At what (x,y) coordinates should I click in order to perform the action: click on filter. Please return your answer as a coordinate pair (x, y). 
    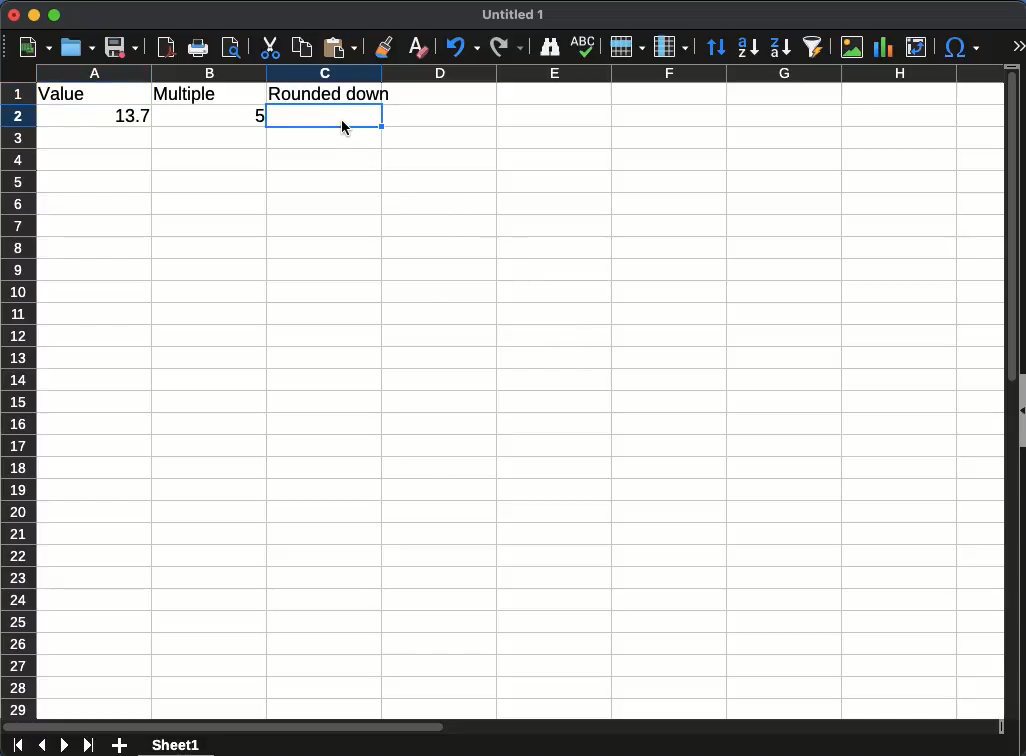
    Looking at the image, I should click on (815, 45).